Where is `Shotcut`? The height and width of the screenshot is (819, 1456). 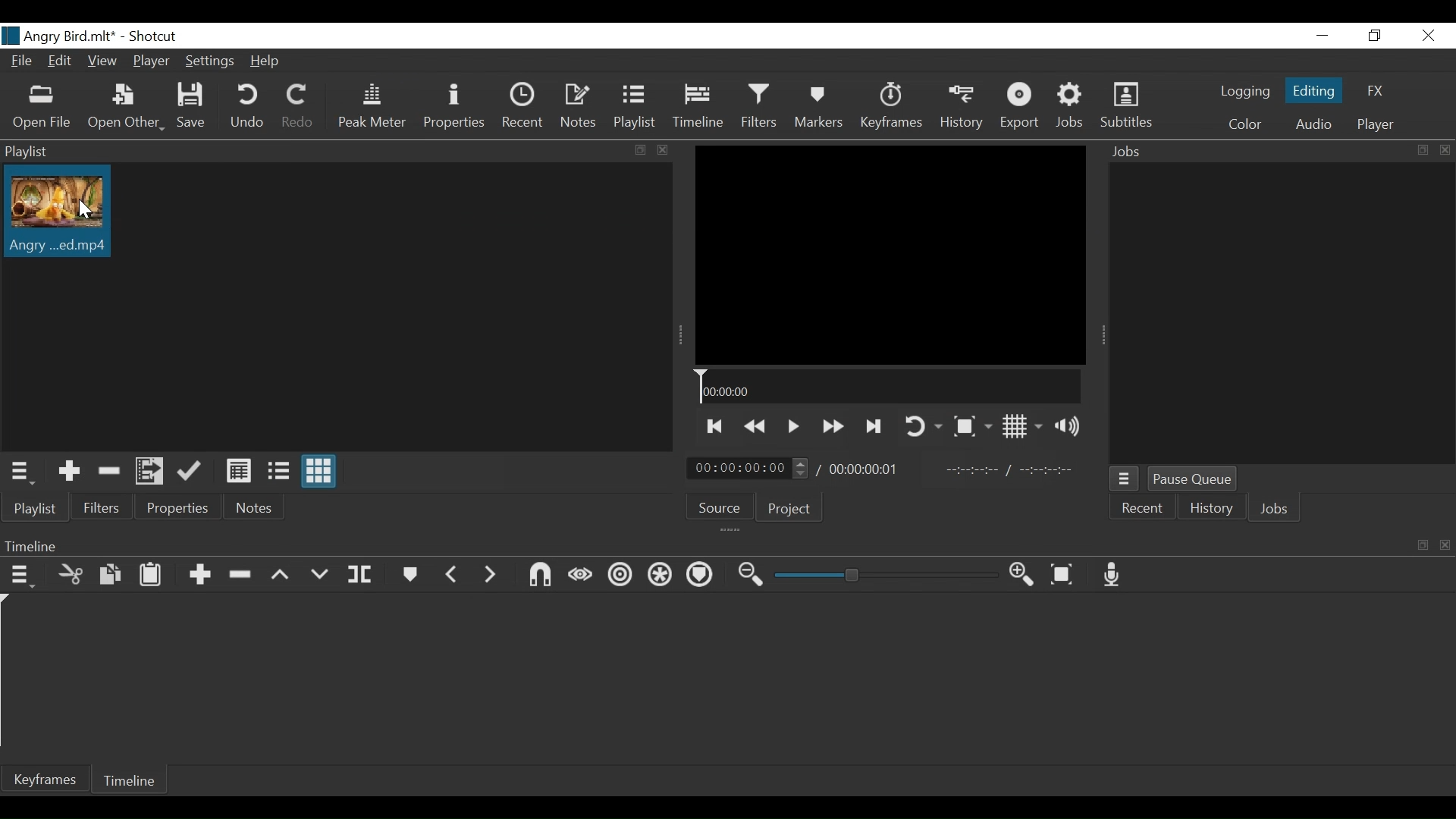
Shotcut is located at coordinates (158, 36).